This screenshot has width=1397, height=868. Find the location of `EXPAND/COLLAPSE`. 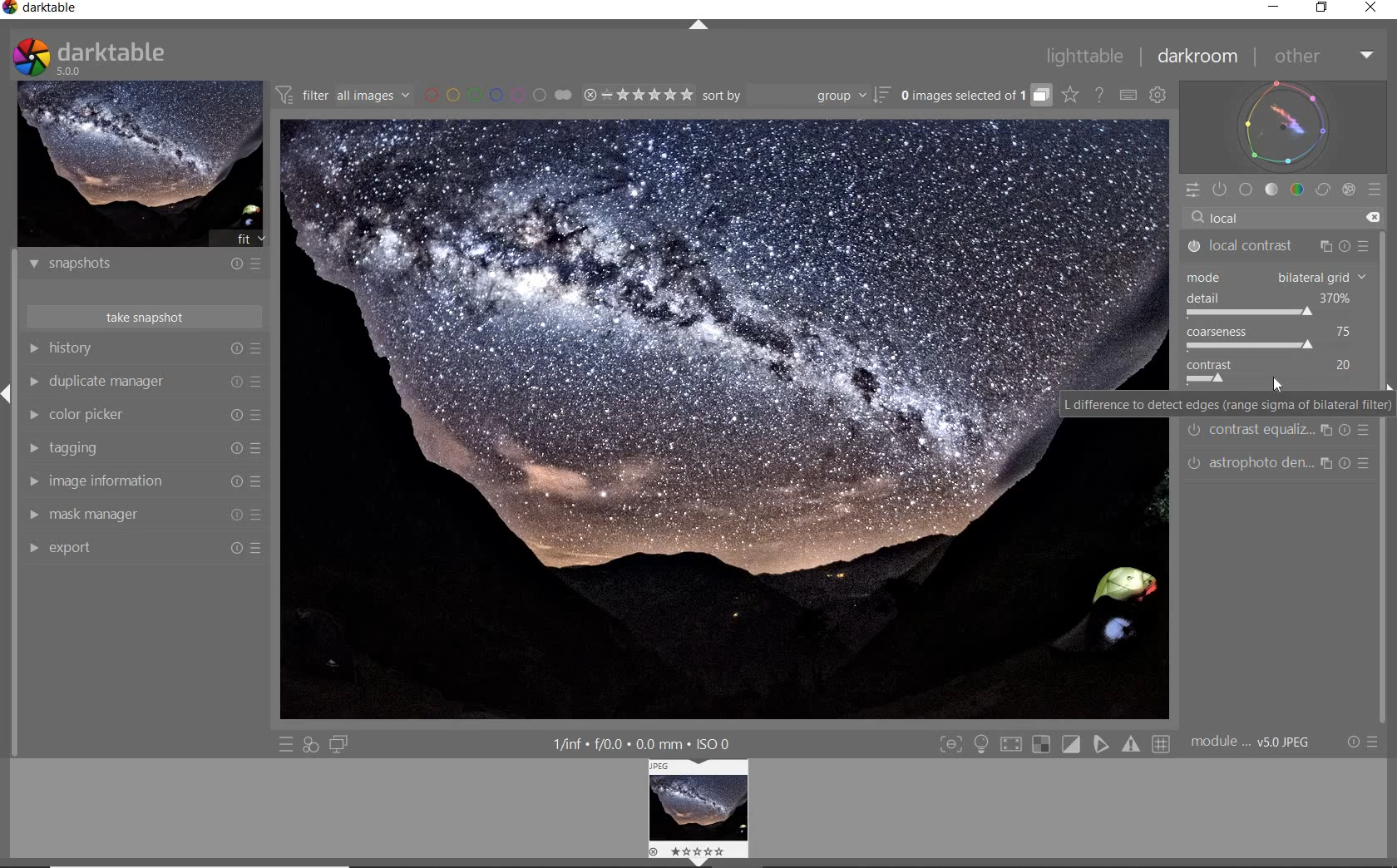

EXPAND/COLLAPSE is located at coordinates (698, 26).